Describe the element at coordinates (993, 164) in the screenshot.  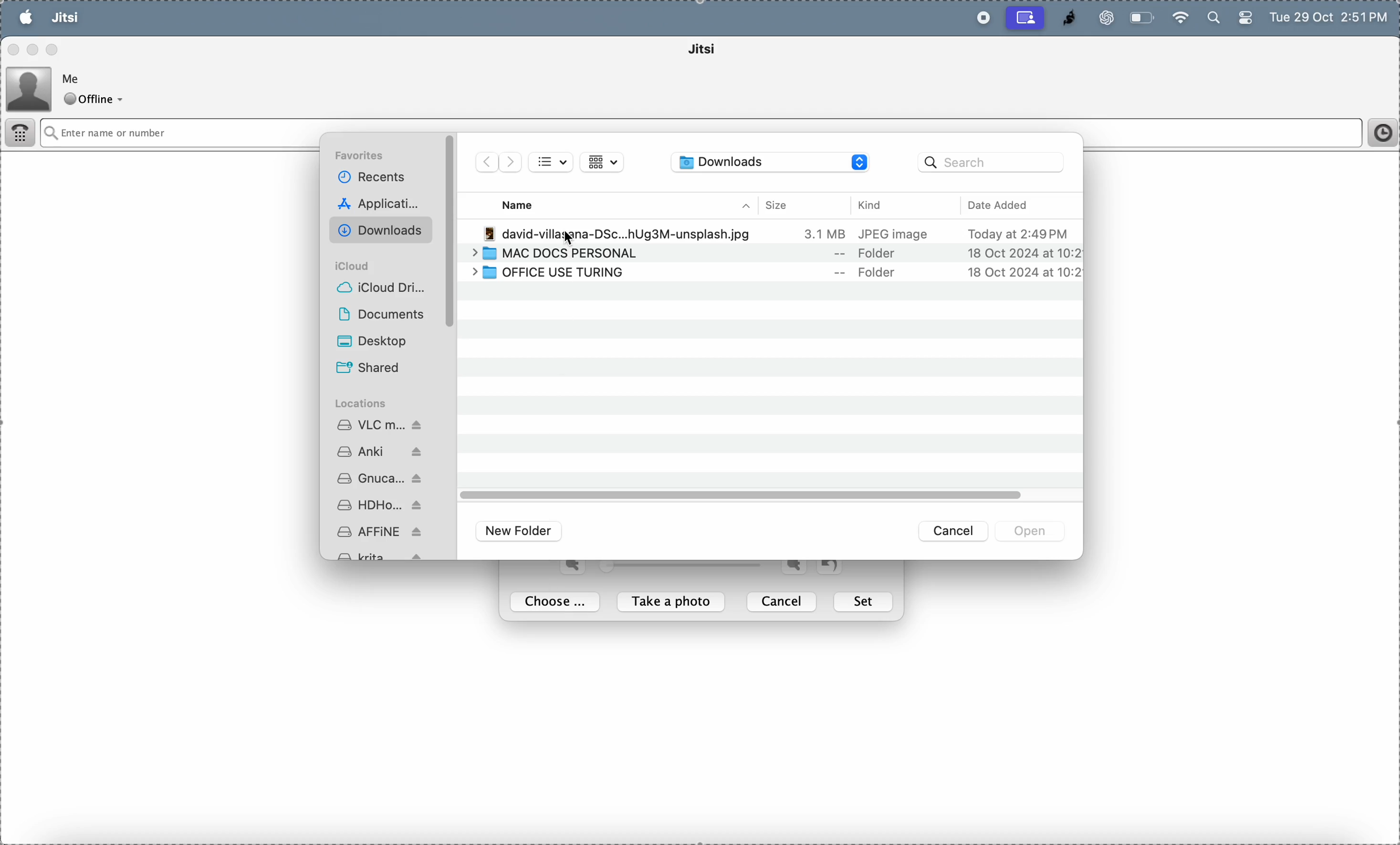
I see `search` at that location.